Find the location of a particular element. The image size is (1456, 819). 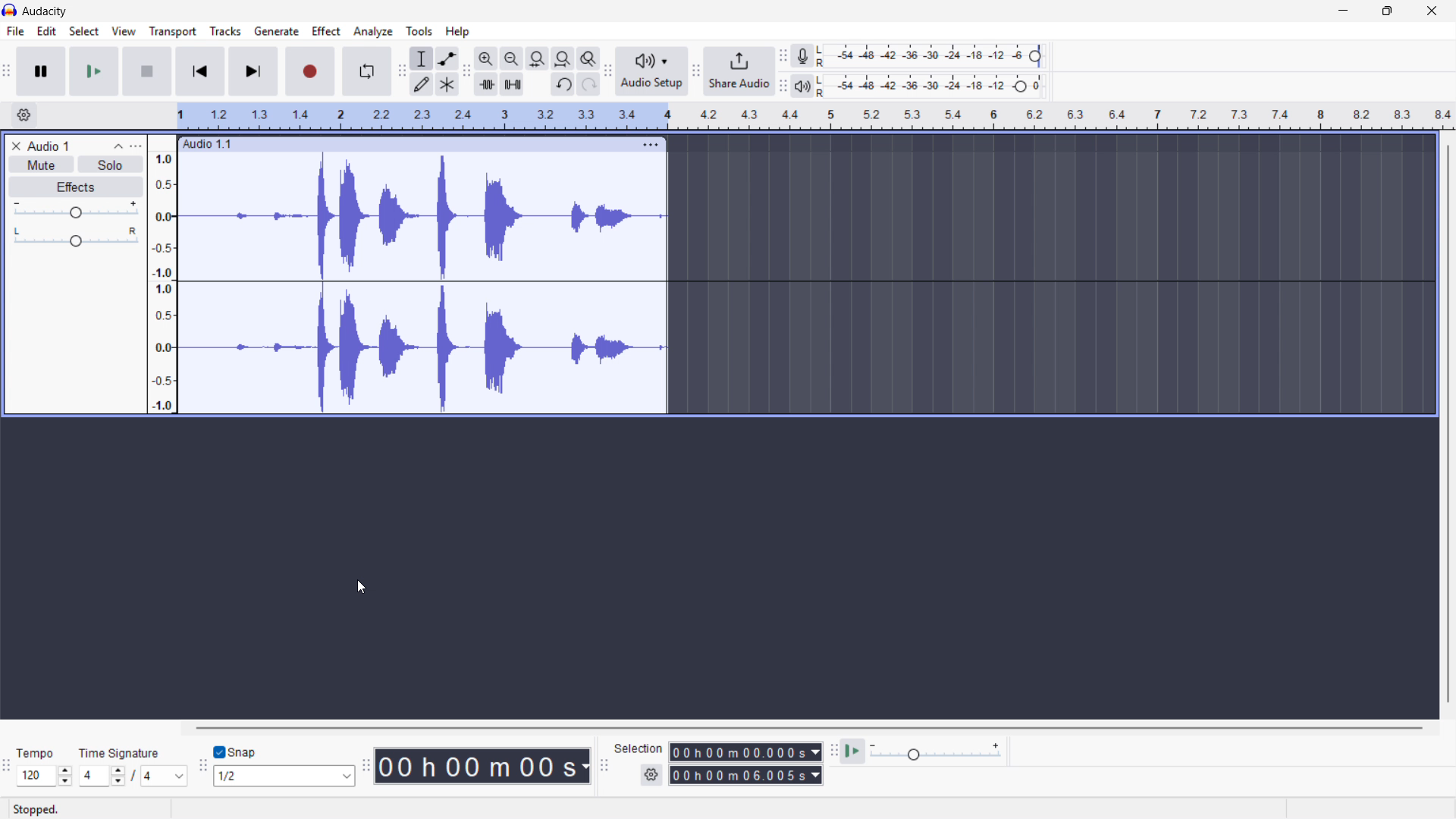

Fit selection to width is located at coordinates (538, 58).